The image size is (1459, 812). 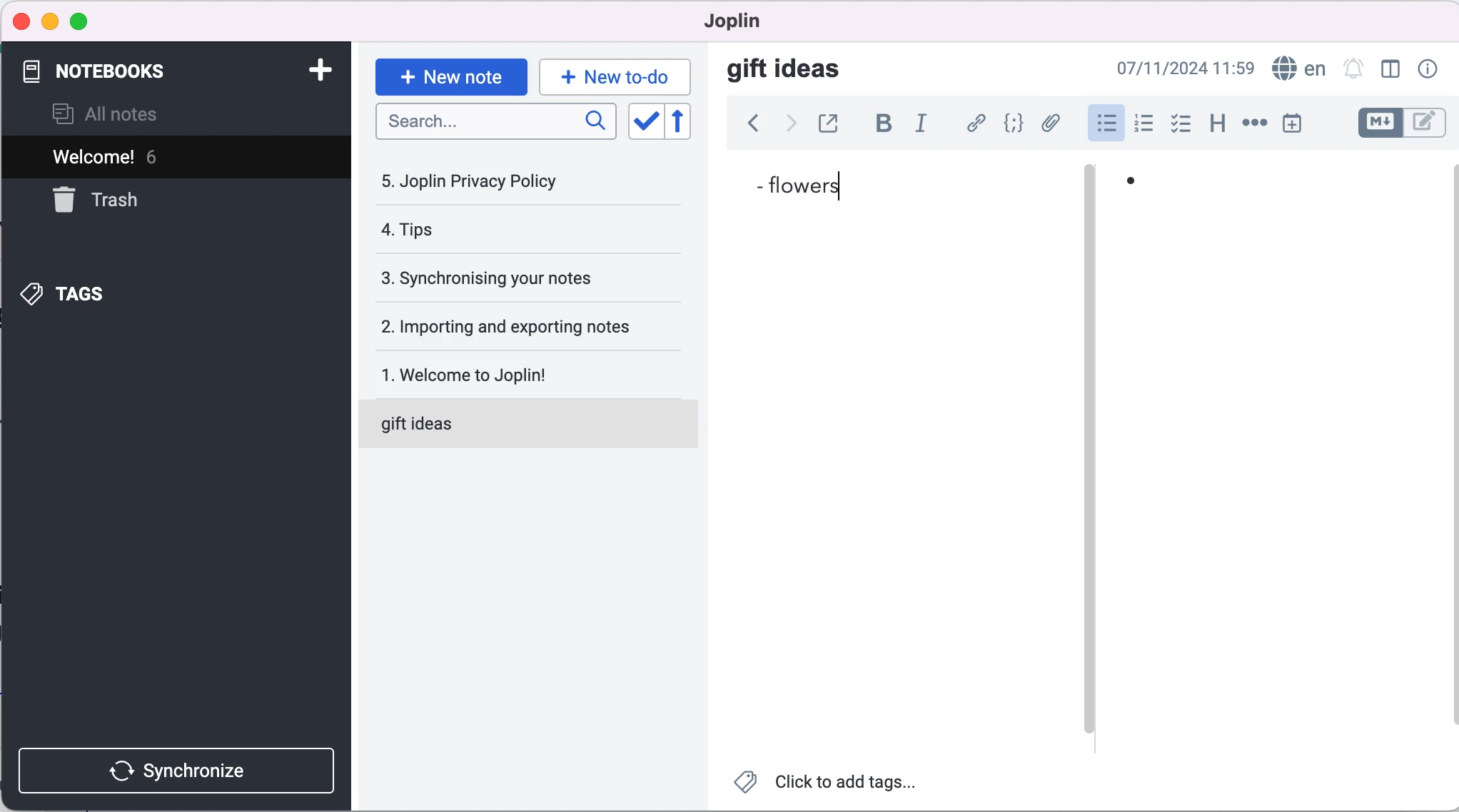 I want to click on close, so click(x=22, y=22).